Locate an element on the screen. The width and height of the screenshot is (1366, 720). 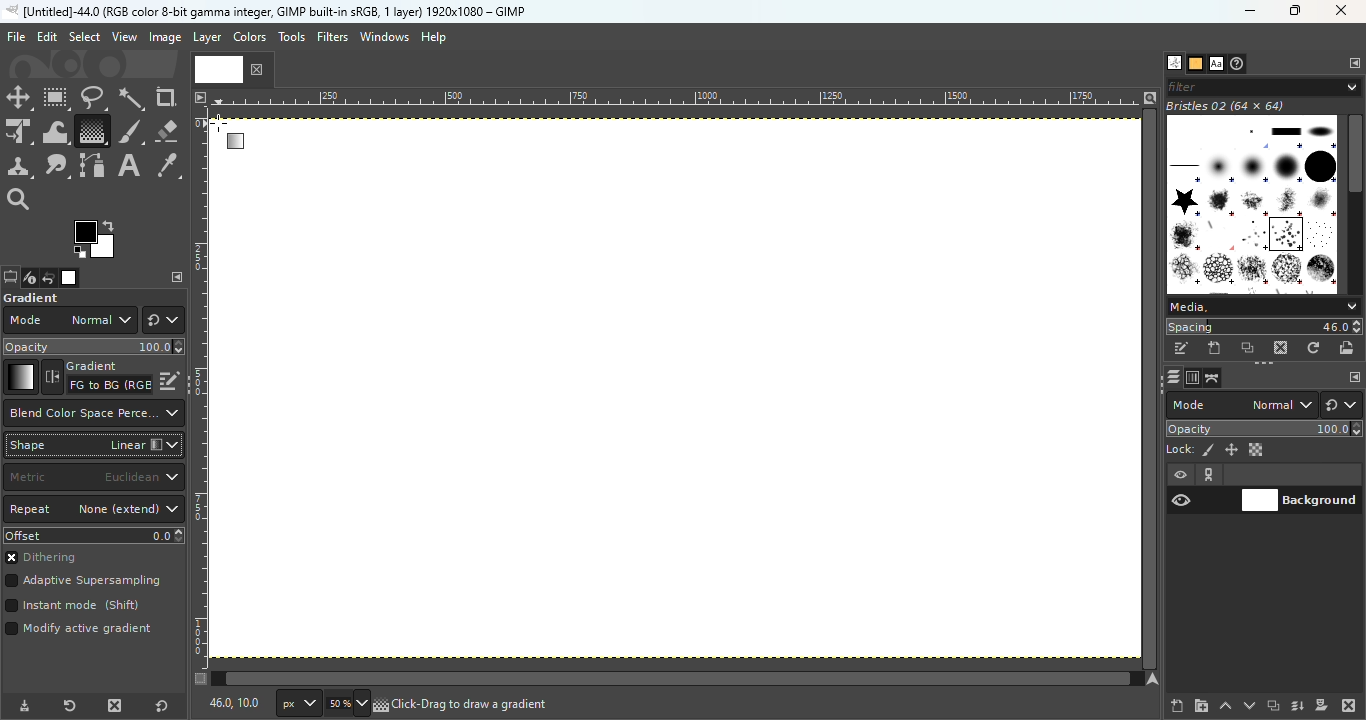
Fuzzy select tool  is located at coordinates (132, 98).